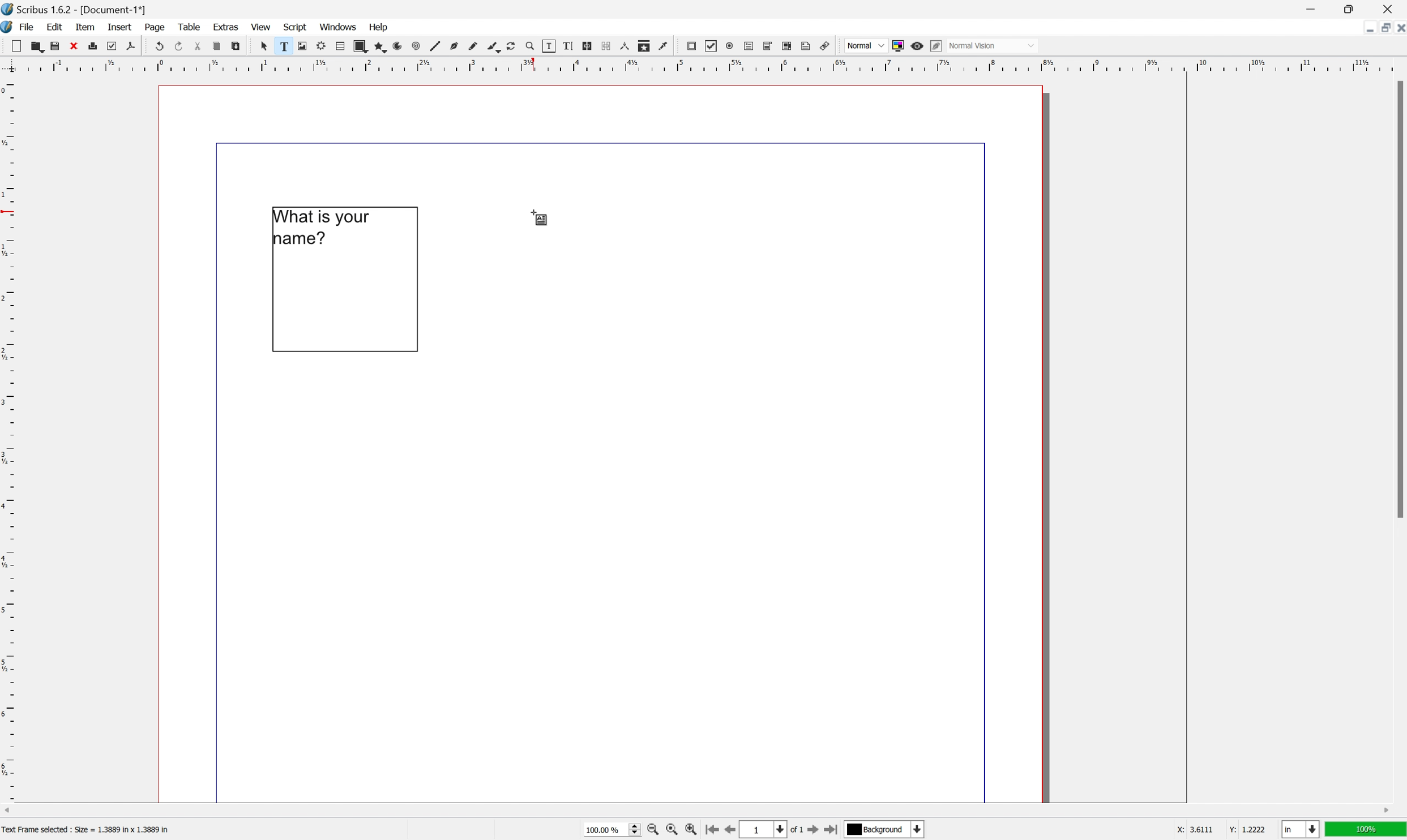 This screenshot has height=840, width=1407. What do you see at coordinates (87, 27) in the screenshot?
I see `item` at bounding box center [87, 27].